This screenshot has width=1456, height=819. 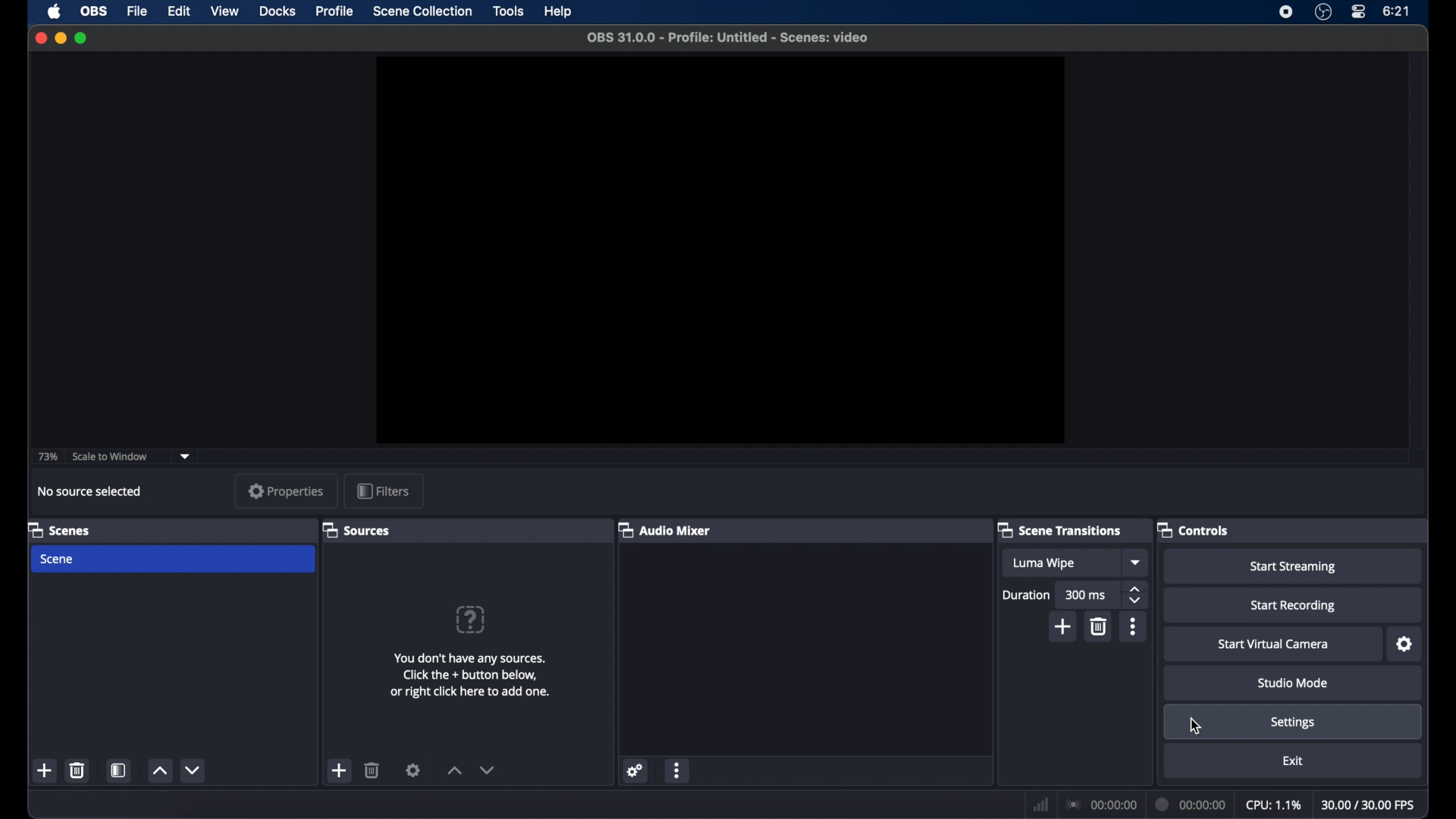 I want to click on maximize, so click(x=82, y=38).